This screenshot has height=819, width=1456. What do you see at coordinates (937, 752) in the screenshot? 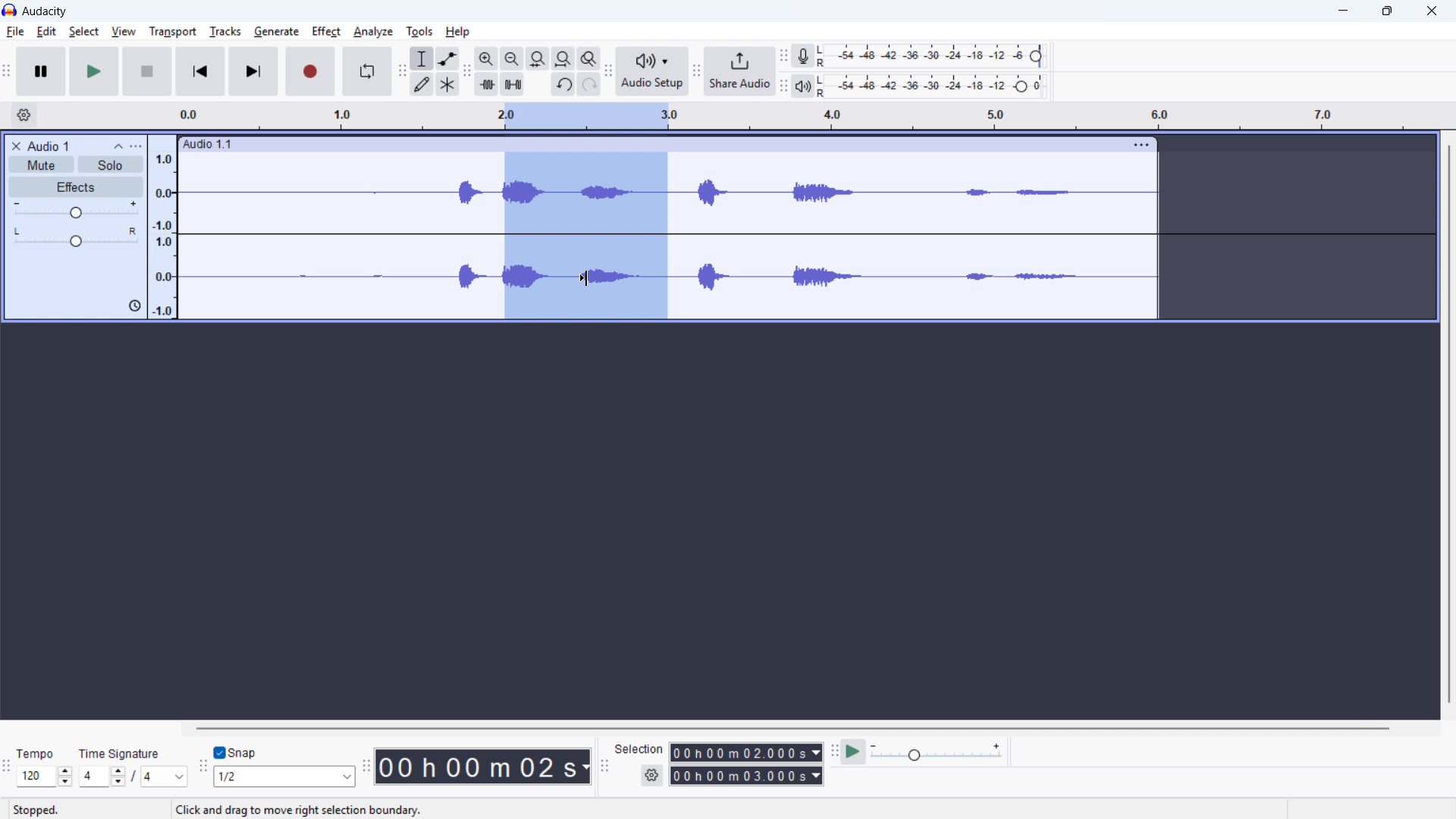
I see `playback speed` at bounding box center [937, 752].